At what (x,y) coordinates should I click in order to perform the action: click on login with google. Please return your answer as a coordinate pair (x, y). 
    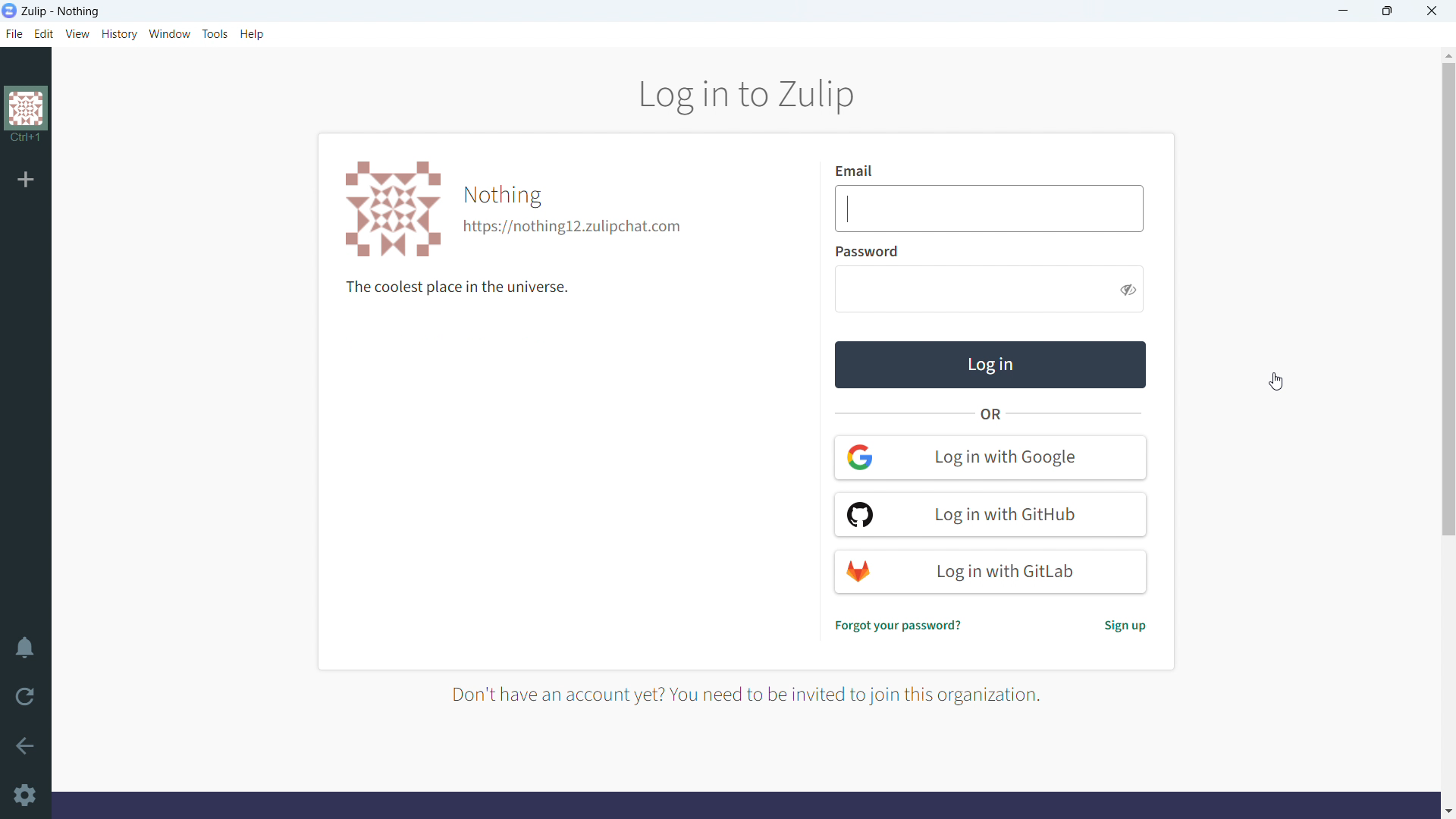
    Looking at the image, I should click on (991, 457).